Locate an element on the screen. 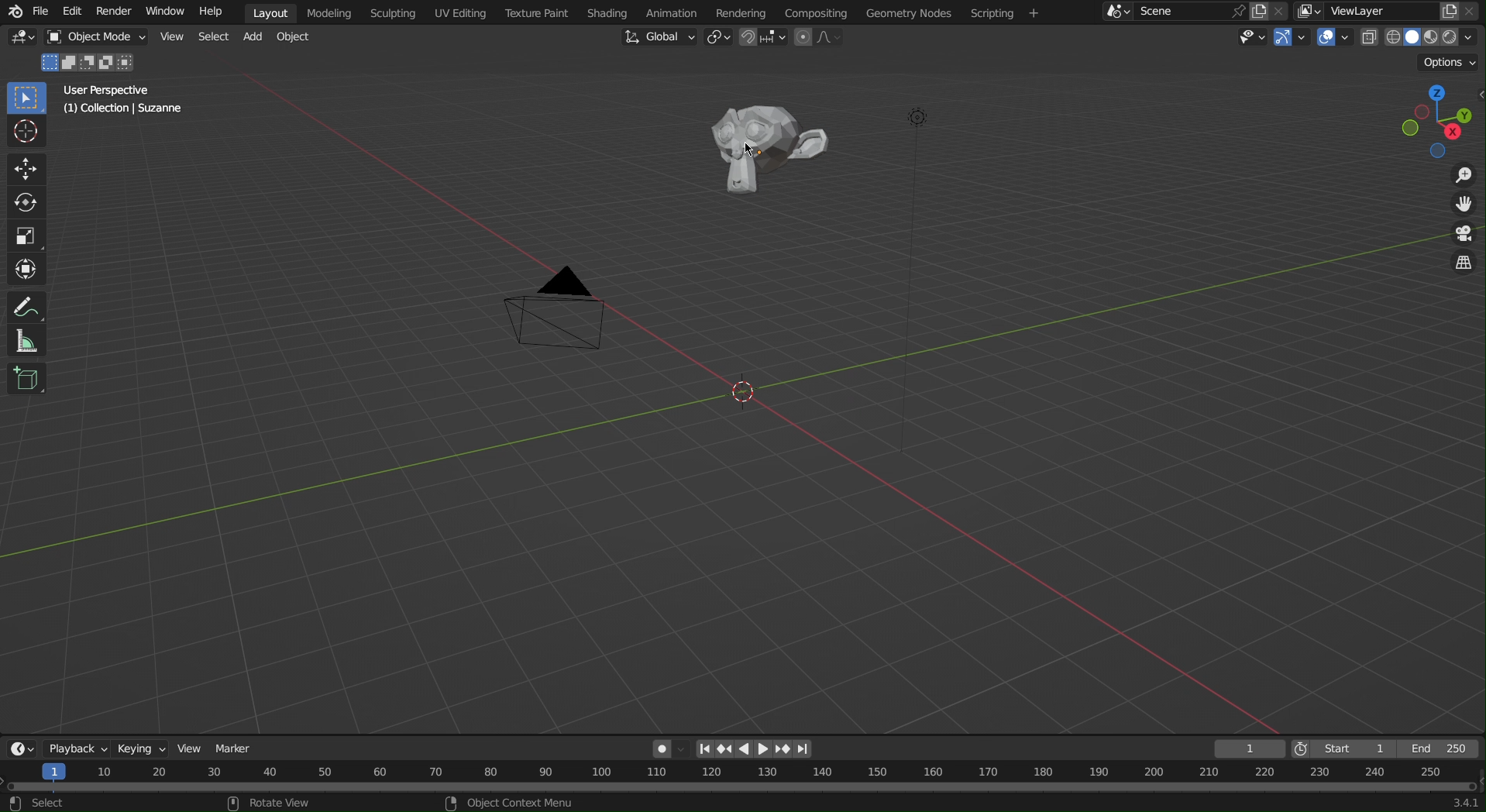 The width and height of the screenshot is (1486, 812). Cursor is located at coordinates (26, 132).